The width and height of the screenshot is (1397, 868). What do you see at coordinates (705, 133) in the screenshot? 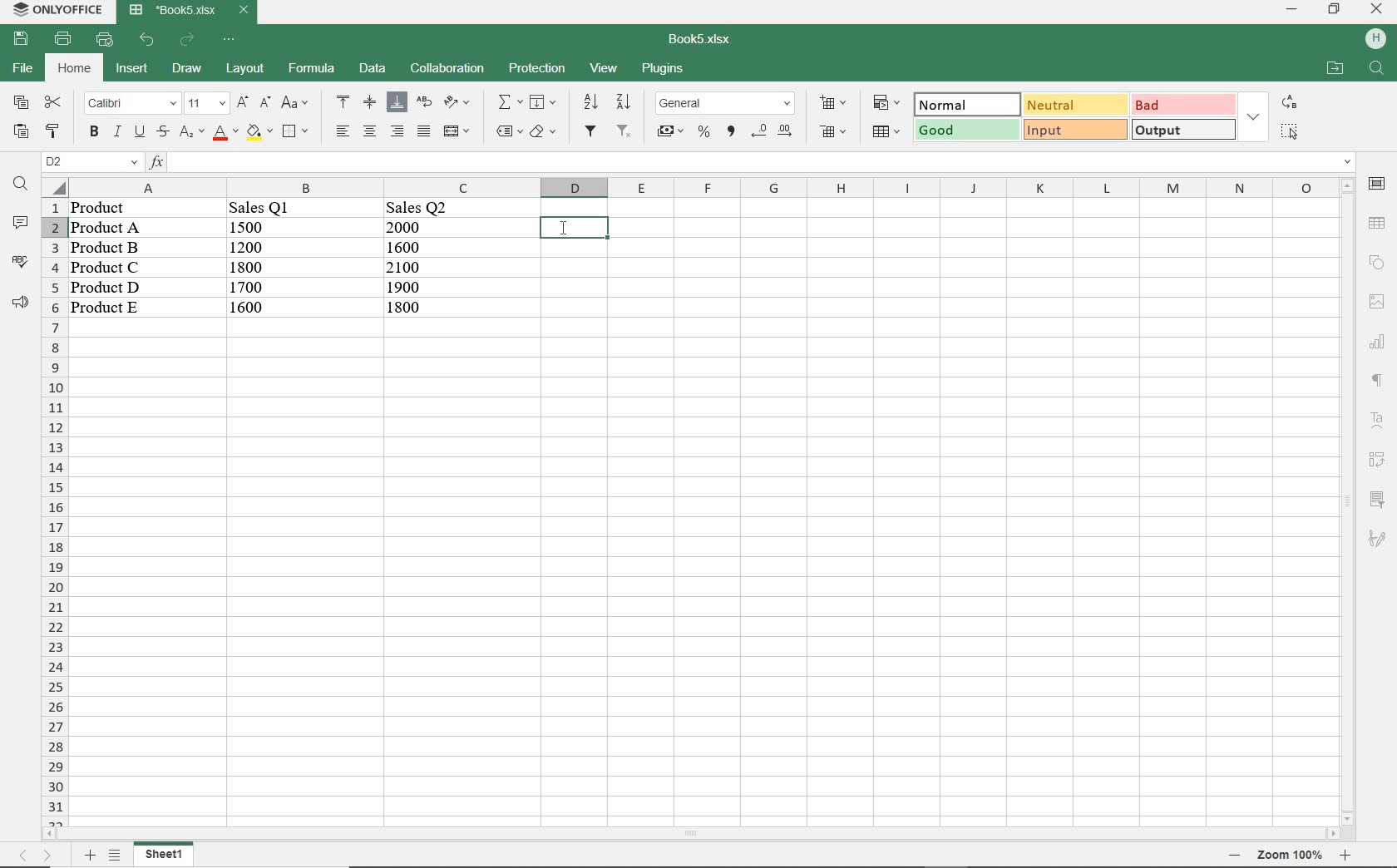
I see `percent style` at bounding box center [705, 133].